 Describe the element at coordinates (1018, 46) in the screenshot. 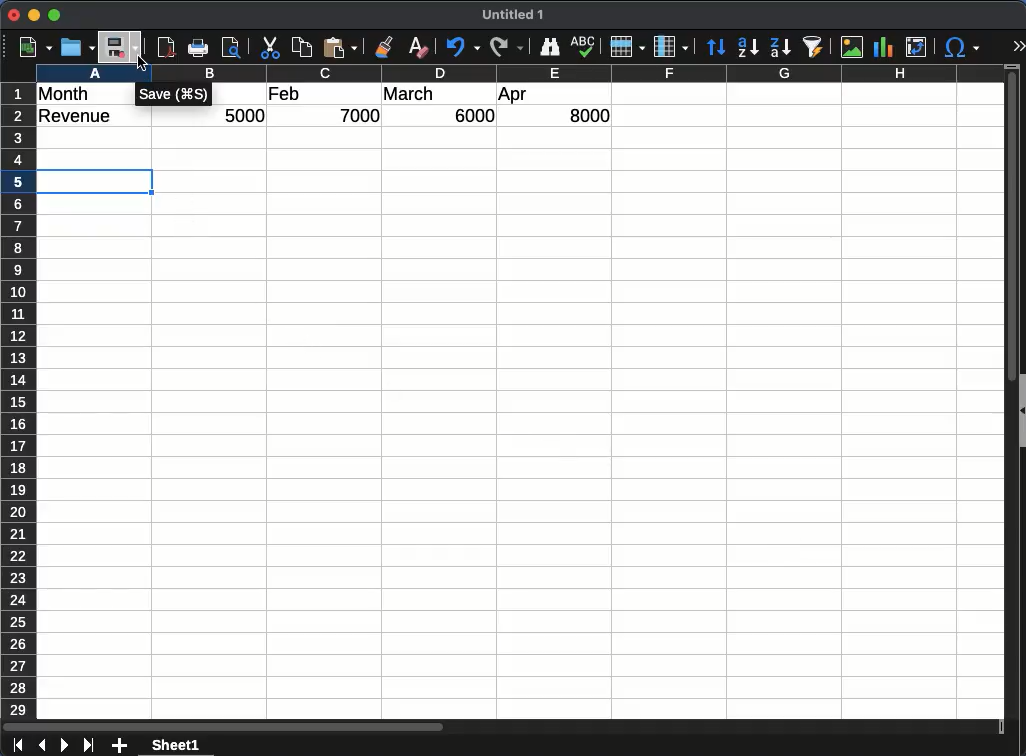

I see `expand` at that location.